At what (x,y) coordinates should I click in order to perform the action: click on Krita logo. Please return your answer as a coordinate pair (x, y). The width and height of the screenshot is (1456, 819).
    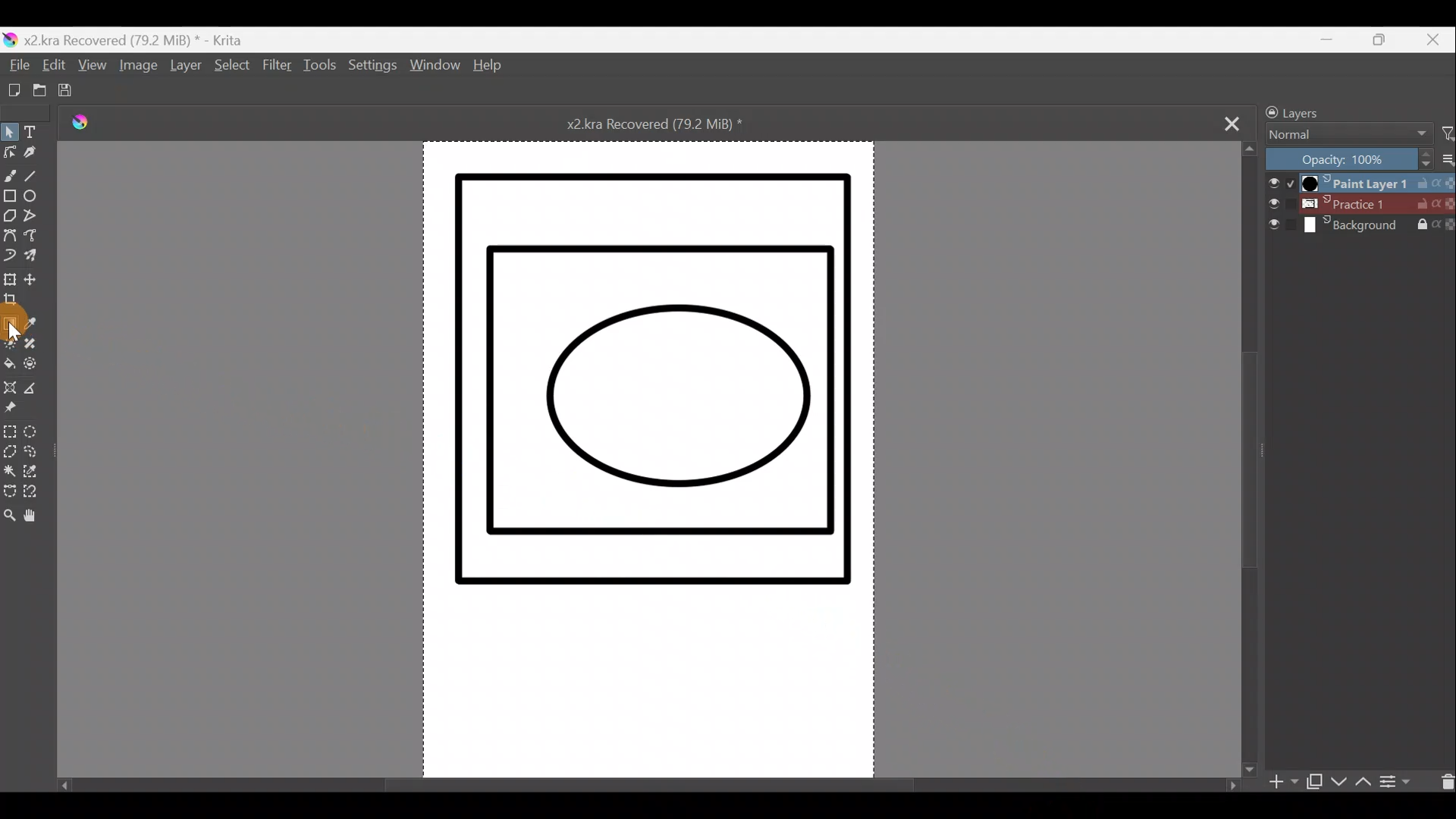
    Looking at the image, I should click on (90, 125).